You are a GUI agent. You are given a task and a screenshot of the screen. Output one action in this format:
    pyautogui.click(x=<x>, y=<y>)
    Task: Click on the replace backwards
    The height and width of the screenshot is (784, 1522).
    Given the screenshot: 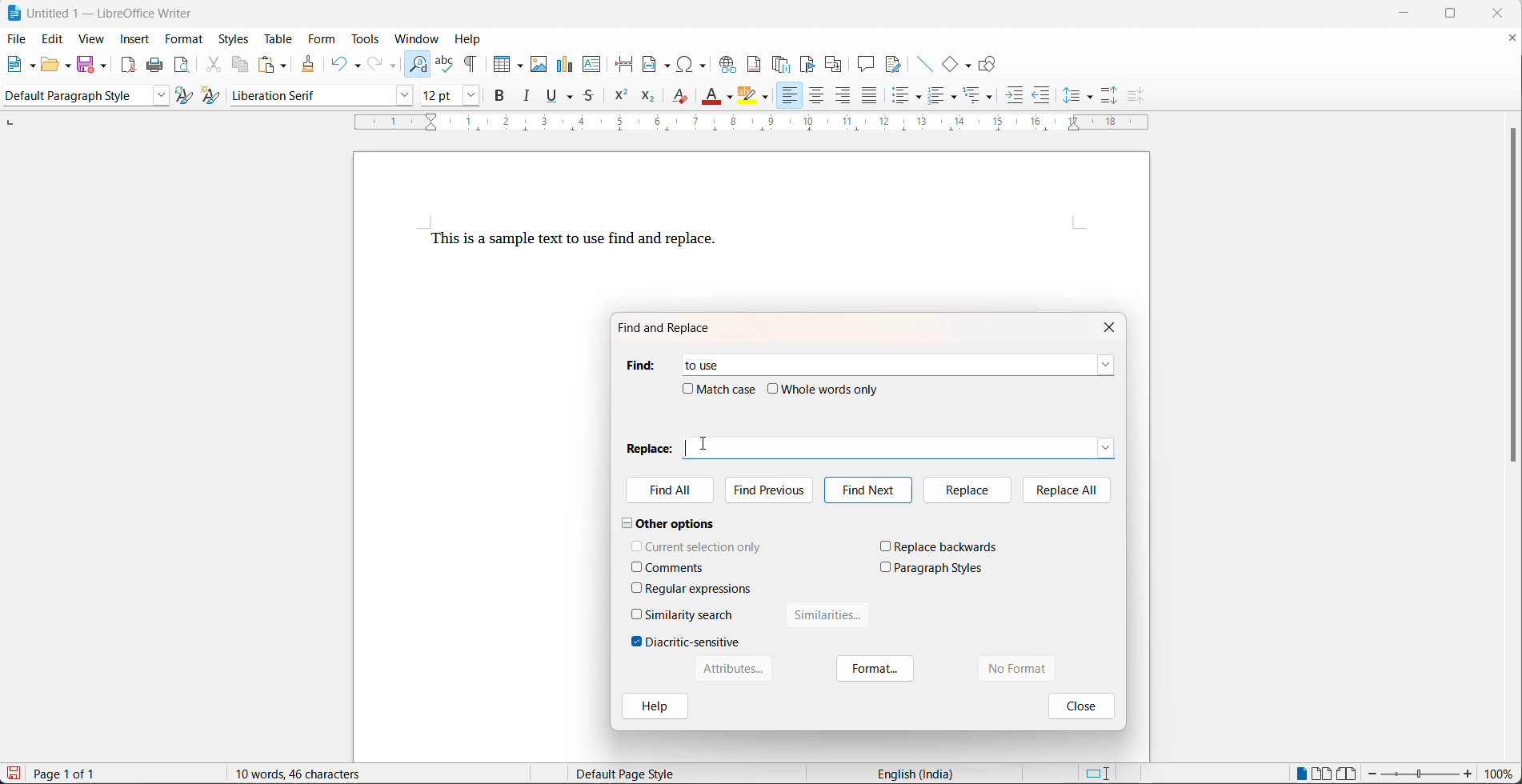 What is the action you would take?
    pyautogui.click(x=947, y=546)
    